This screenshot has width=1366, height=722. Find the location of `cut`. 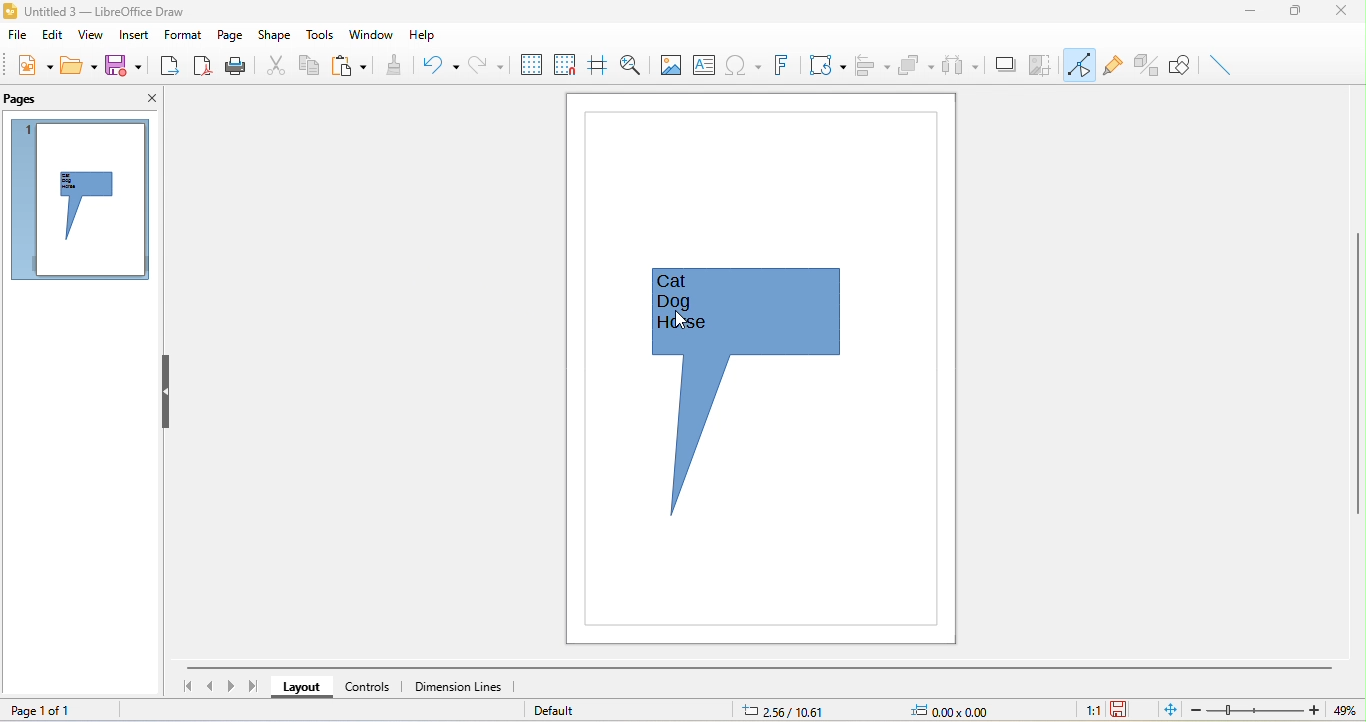

cut is located at coordinates (274, 65).